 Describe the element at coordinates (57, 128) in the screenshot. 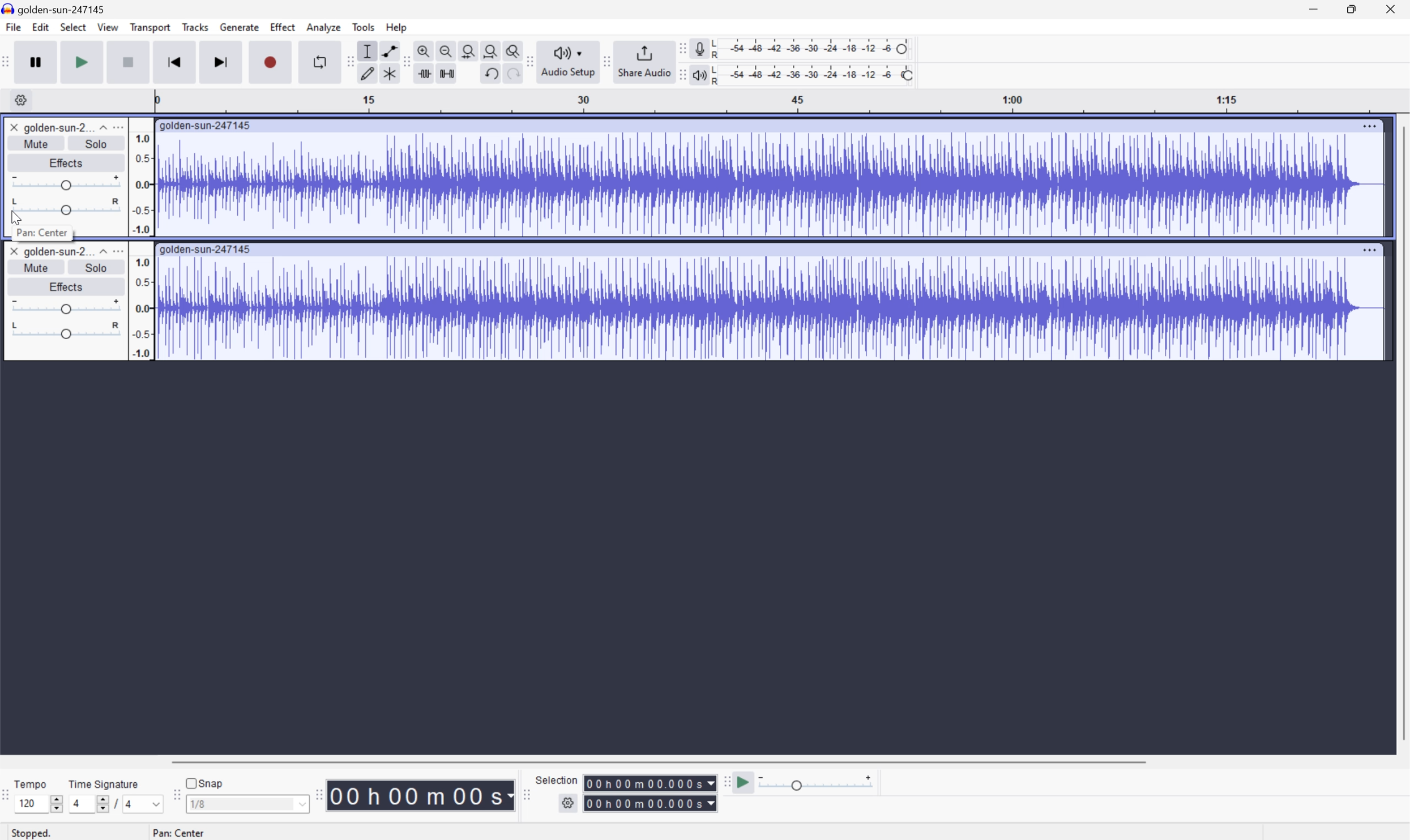

I see `golden-sun-2` at that location.